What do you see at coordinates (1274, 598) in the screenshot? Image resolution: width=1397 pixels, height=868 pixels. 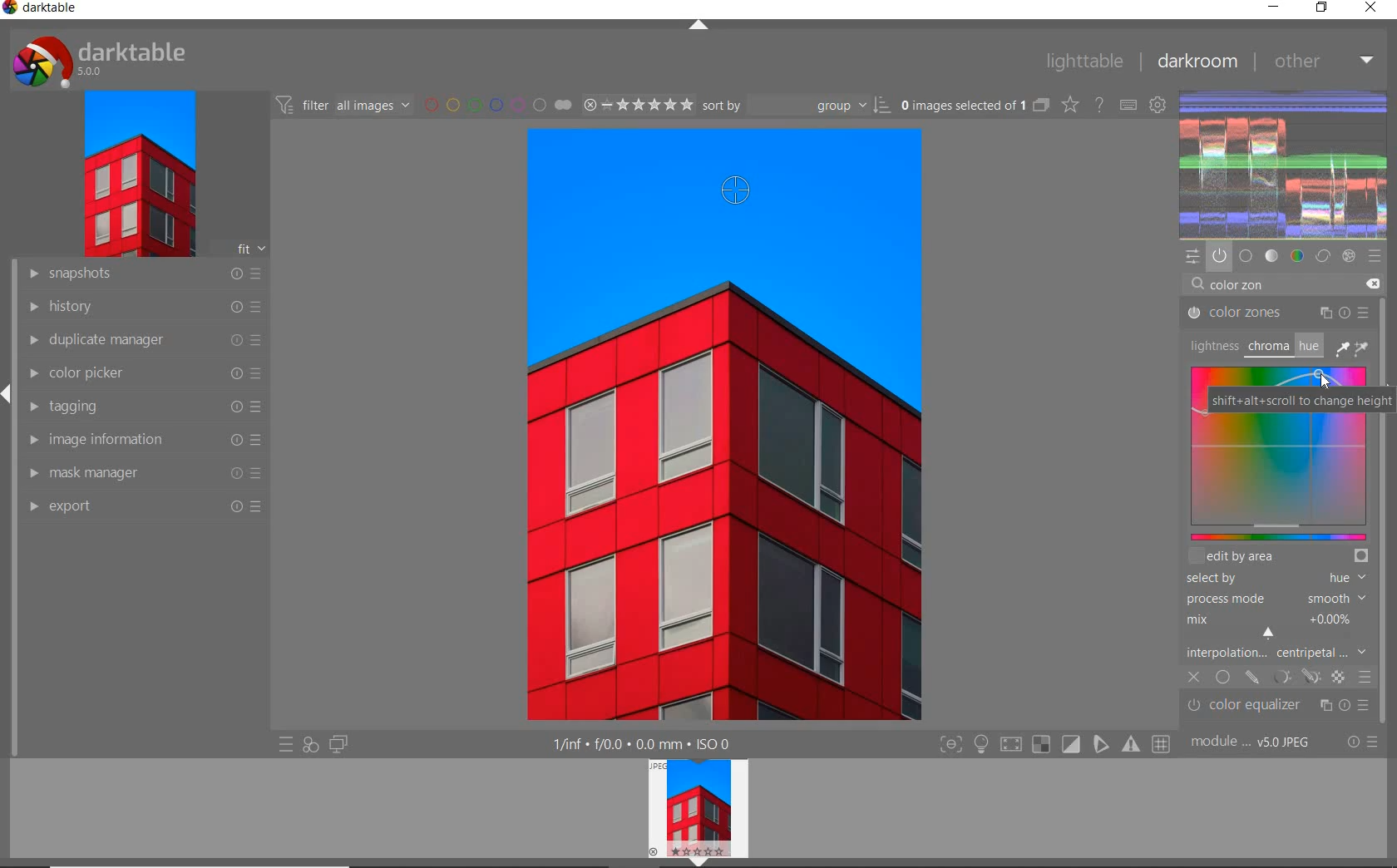 I see `PROCESS MODE` at bounding box center [1274, 598].